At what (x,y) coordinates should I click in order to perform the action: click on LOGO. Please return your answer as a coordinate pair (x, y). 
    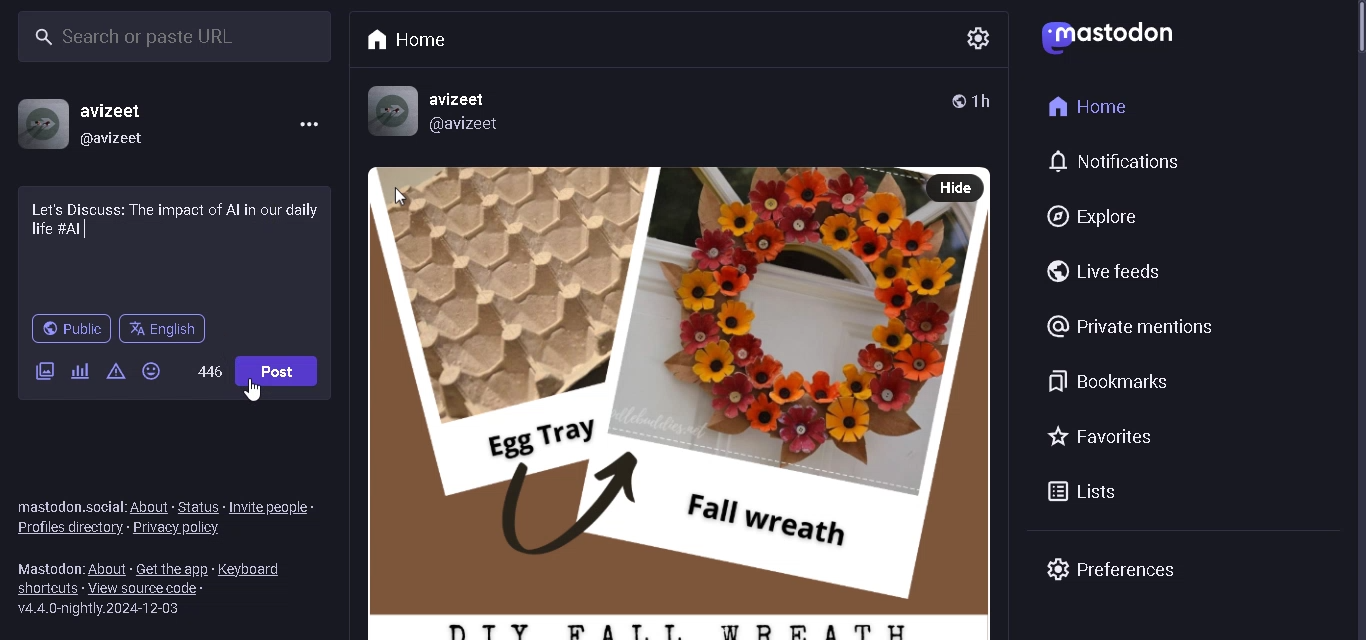
    Looking at the image, I should click on (1113, 36).